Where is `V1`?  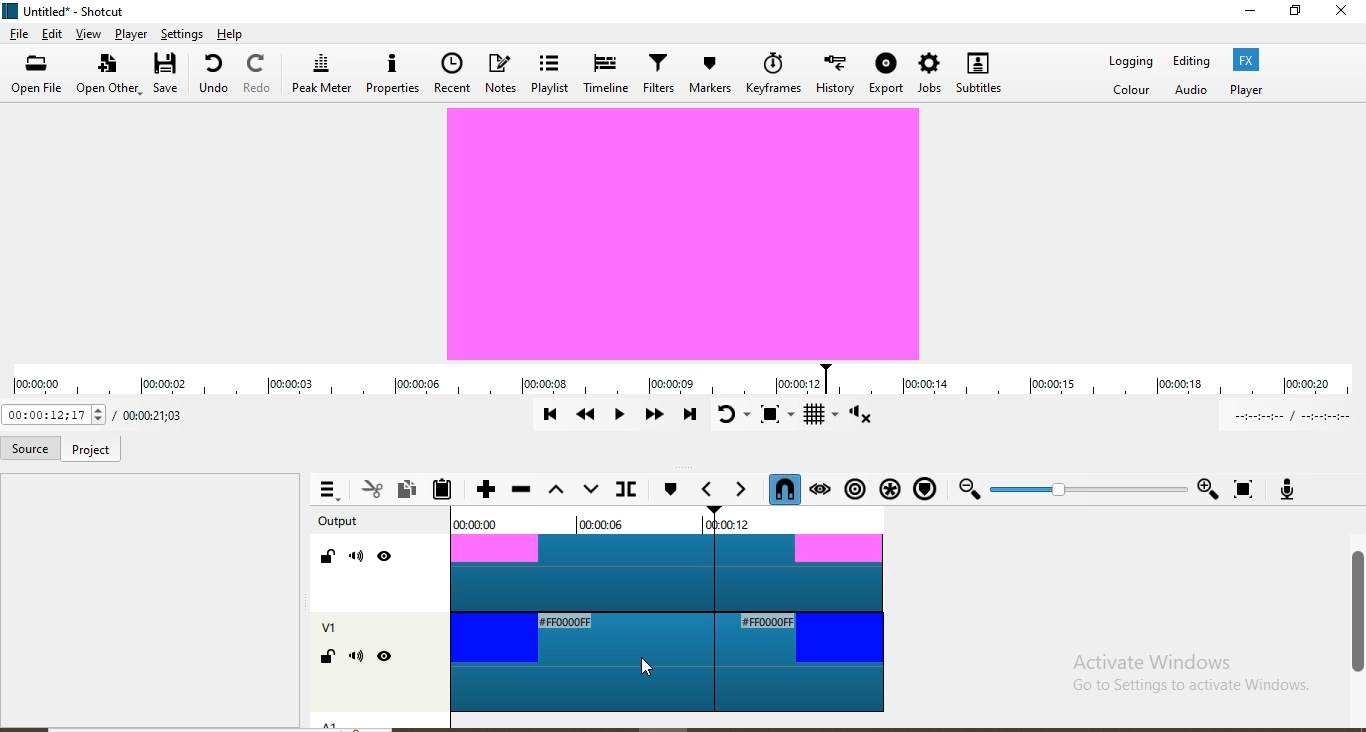 V1 is located at coordinates (327, 626).